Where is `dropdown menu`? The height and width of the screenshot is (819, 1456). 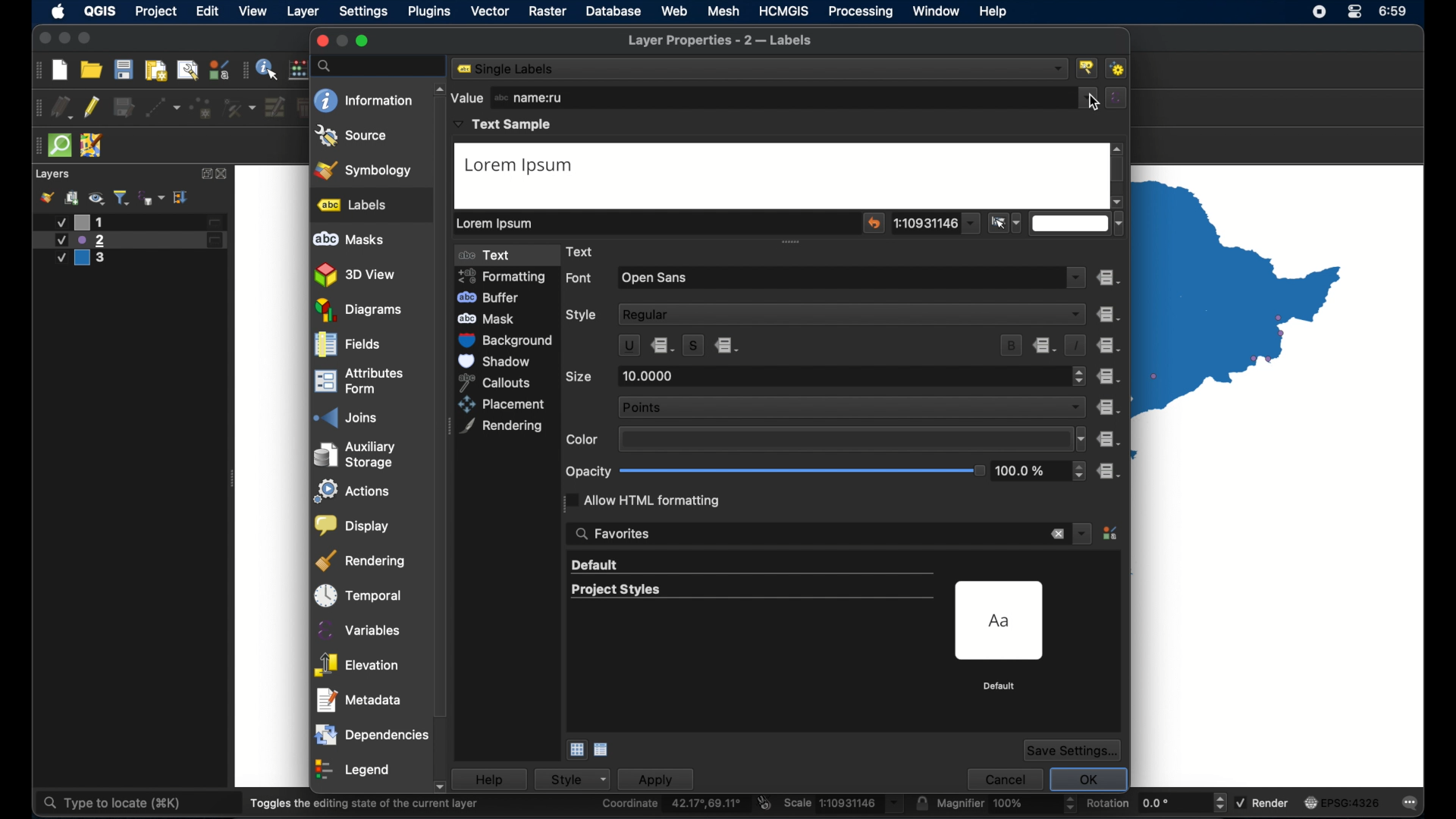
dropdown menu is located at coordinates (935, 223).